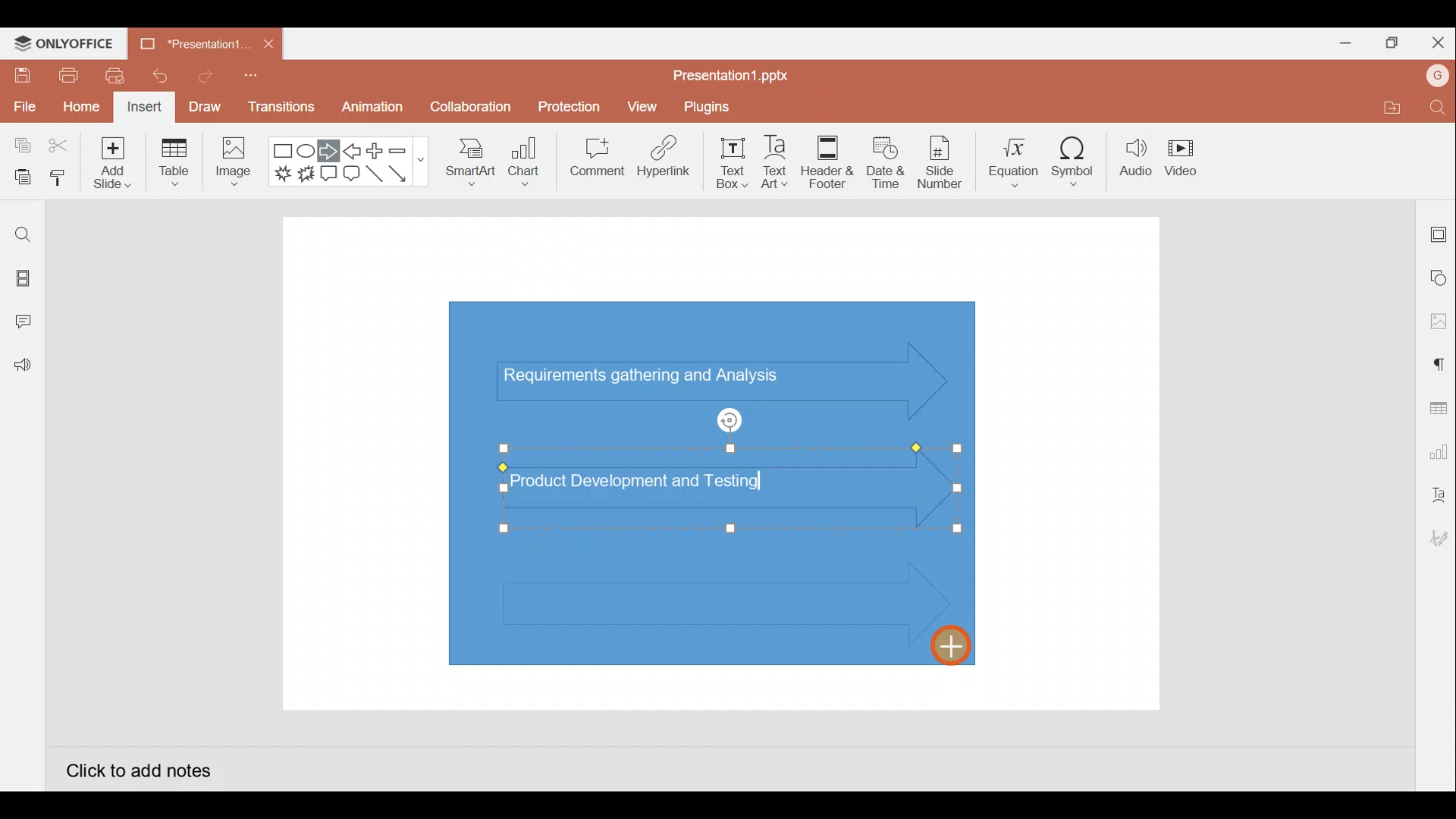  I want to click on 3rd Inserted right arrow shape, so click(691, 605).